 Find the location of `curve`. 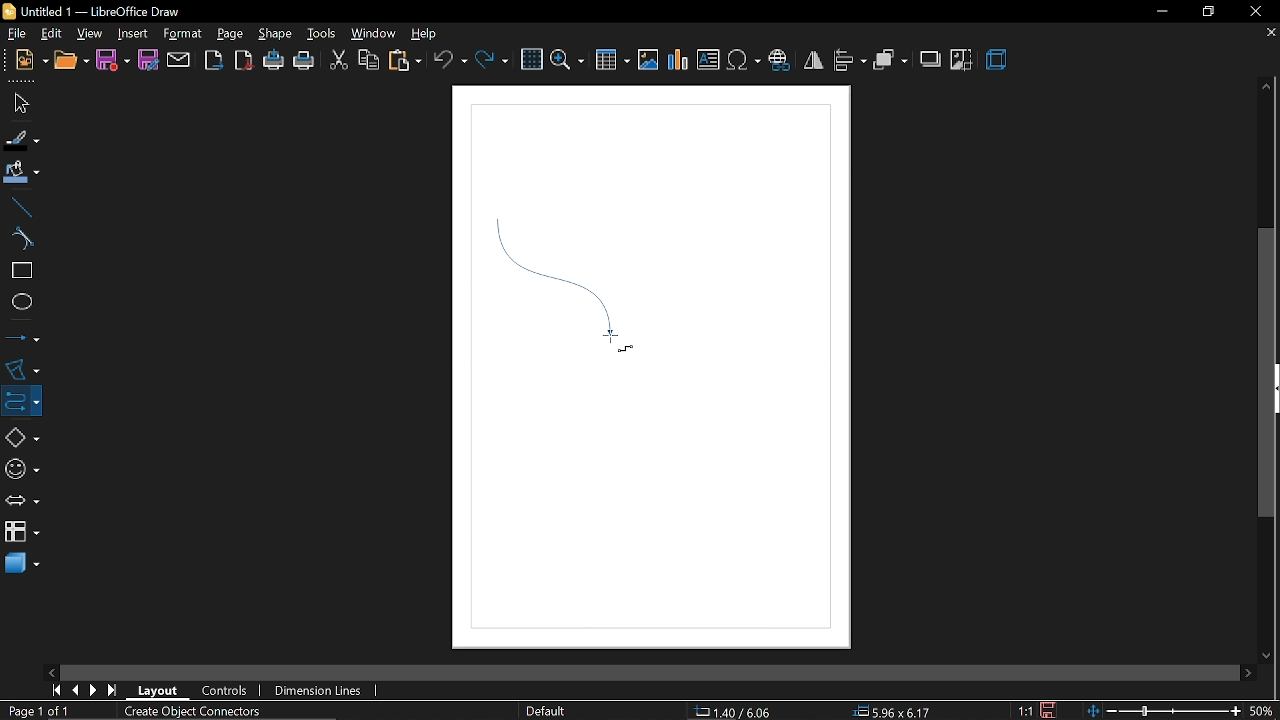

curve is located at coordinates (20, 239).